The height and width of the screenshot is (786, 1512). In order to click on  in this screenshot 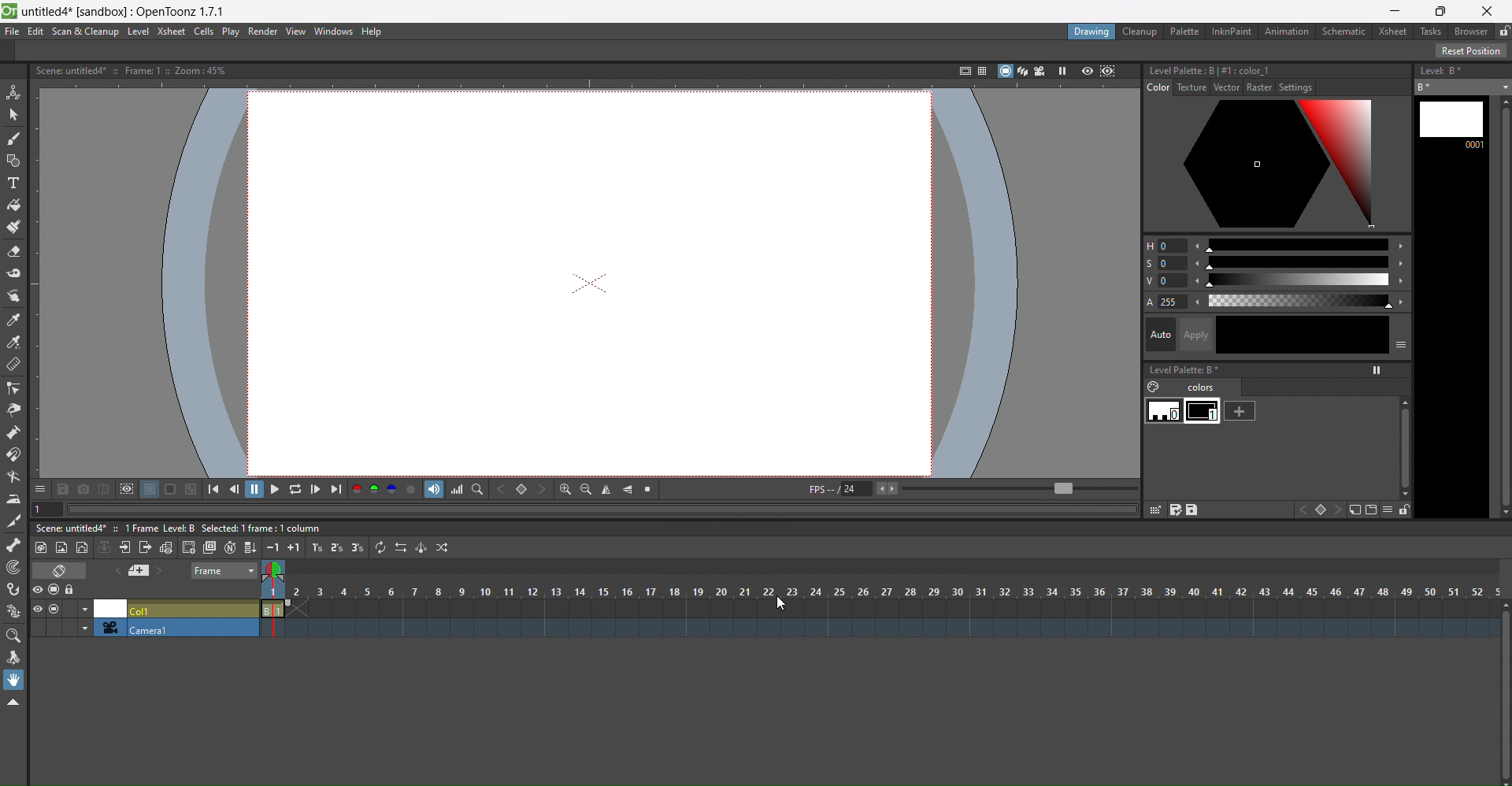, I will do `click(627, 489)`.